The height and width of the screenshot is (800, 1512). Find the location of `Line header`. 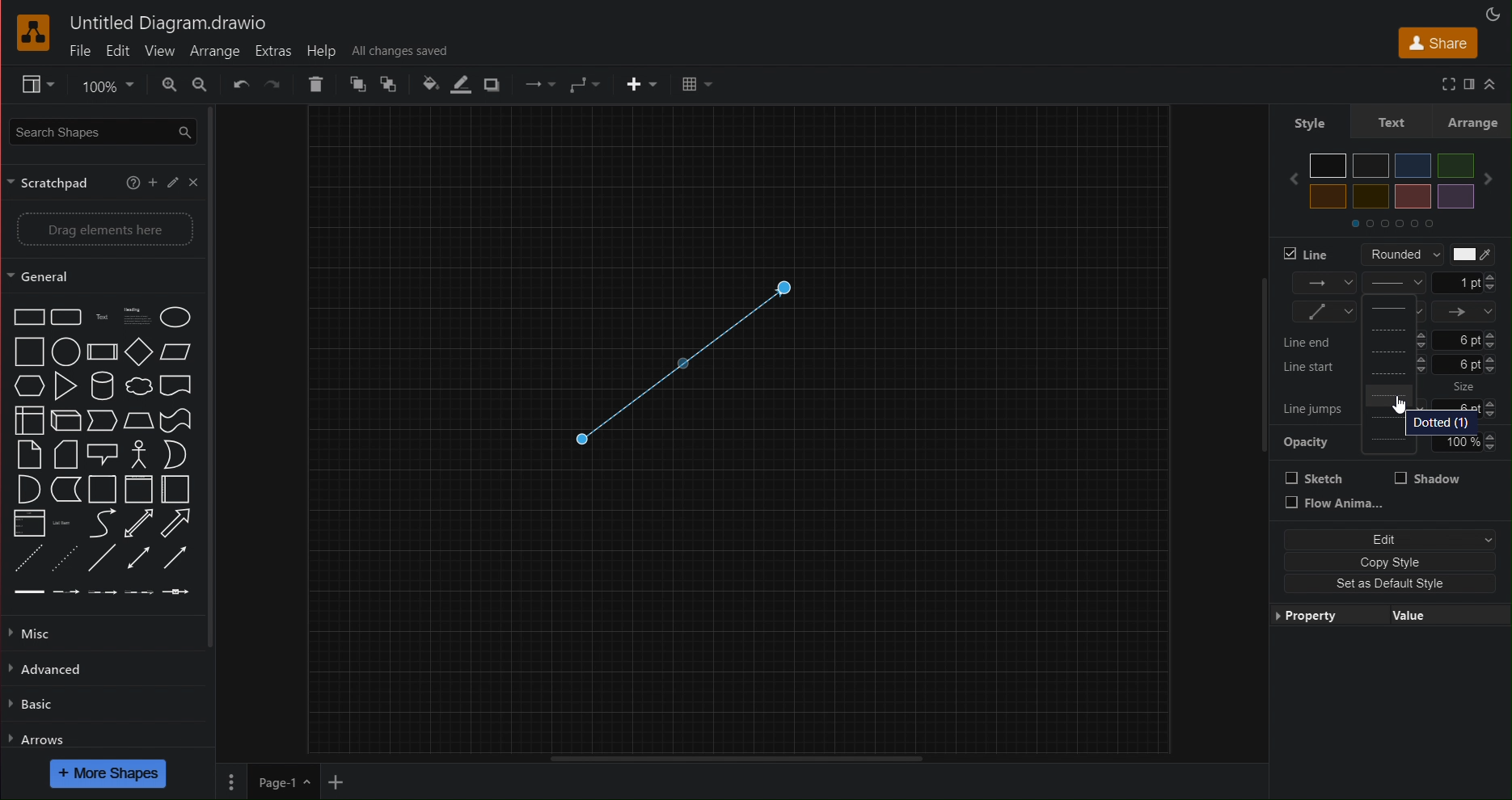

Line header is located at coordinates (1465, 312).